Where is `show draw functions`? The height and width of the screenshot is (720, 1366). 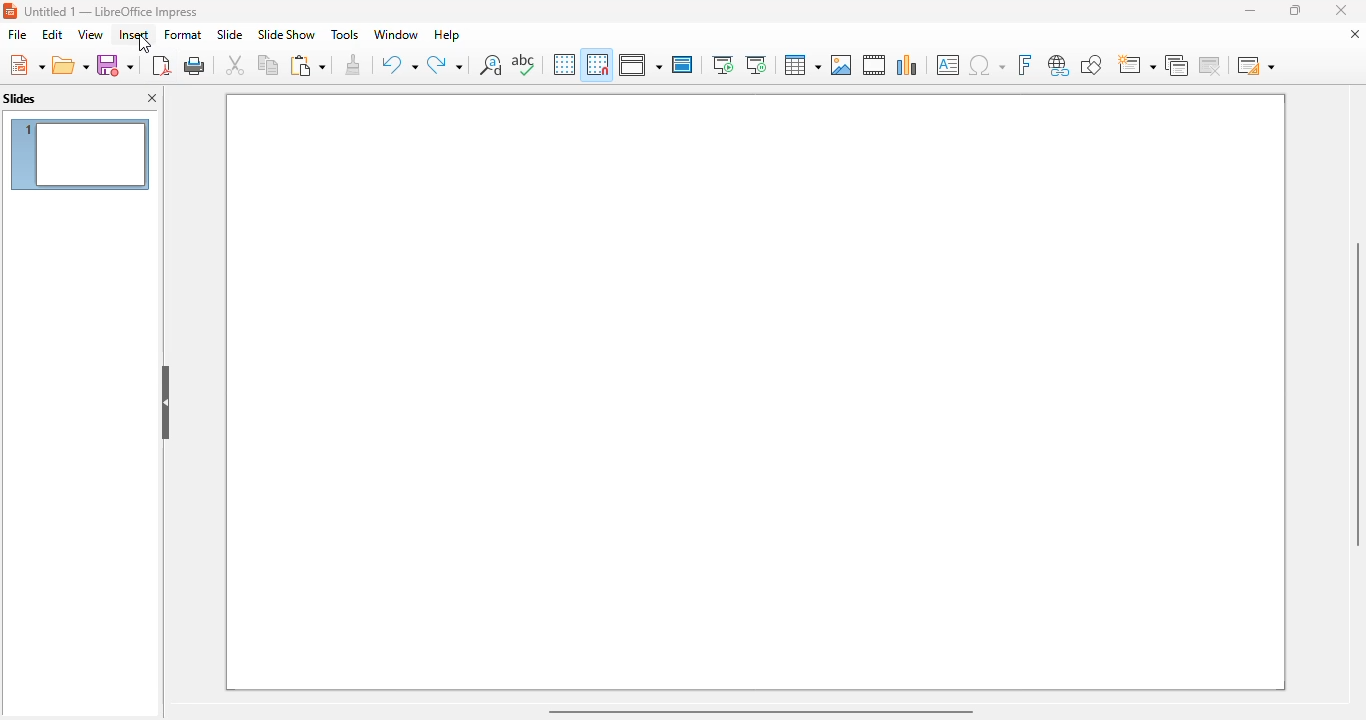 show draw functions is located at coordinates (1090, 64).